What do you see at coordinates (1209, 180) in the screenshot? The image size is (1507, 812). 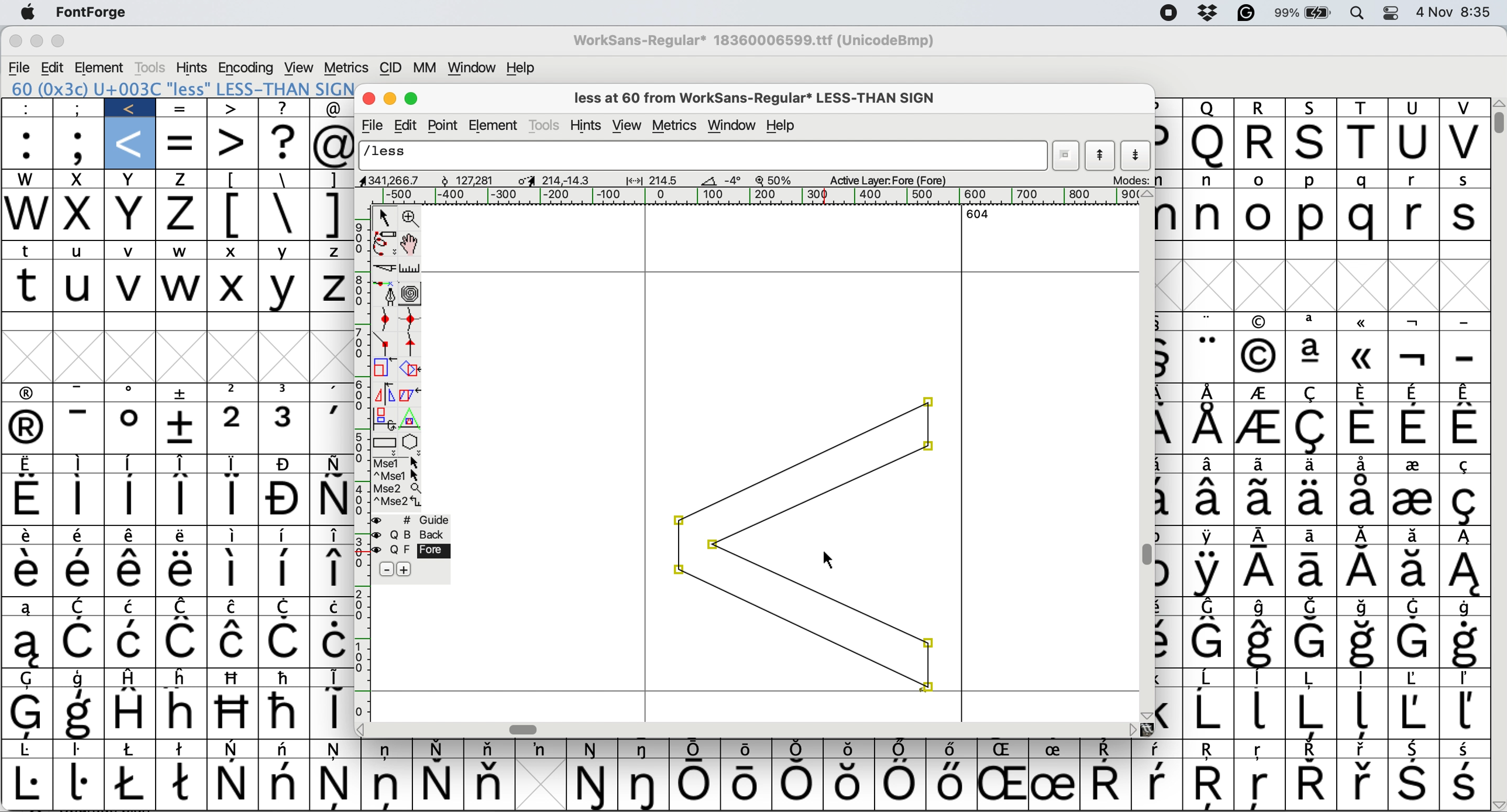 I see `n` at bounding box center [1209, 180].